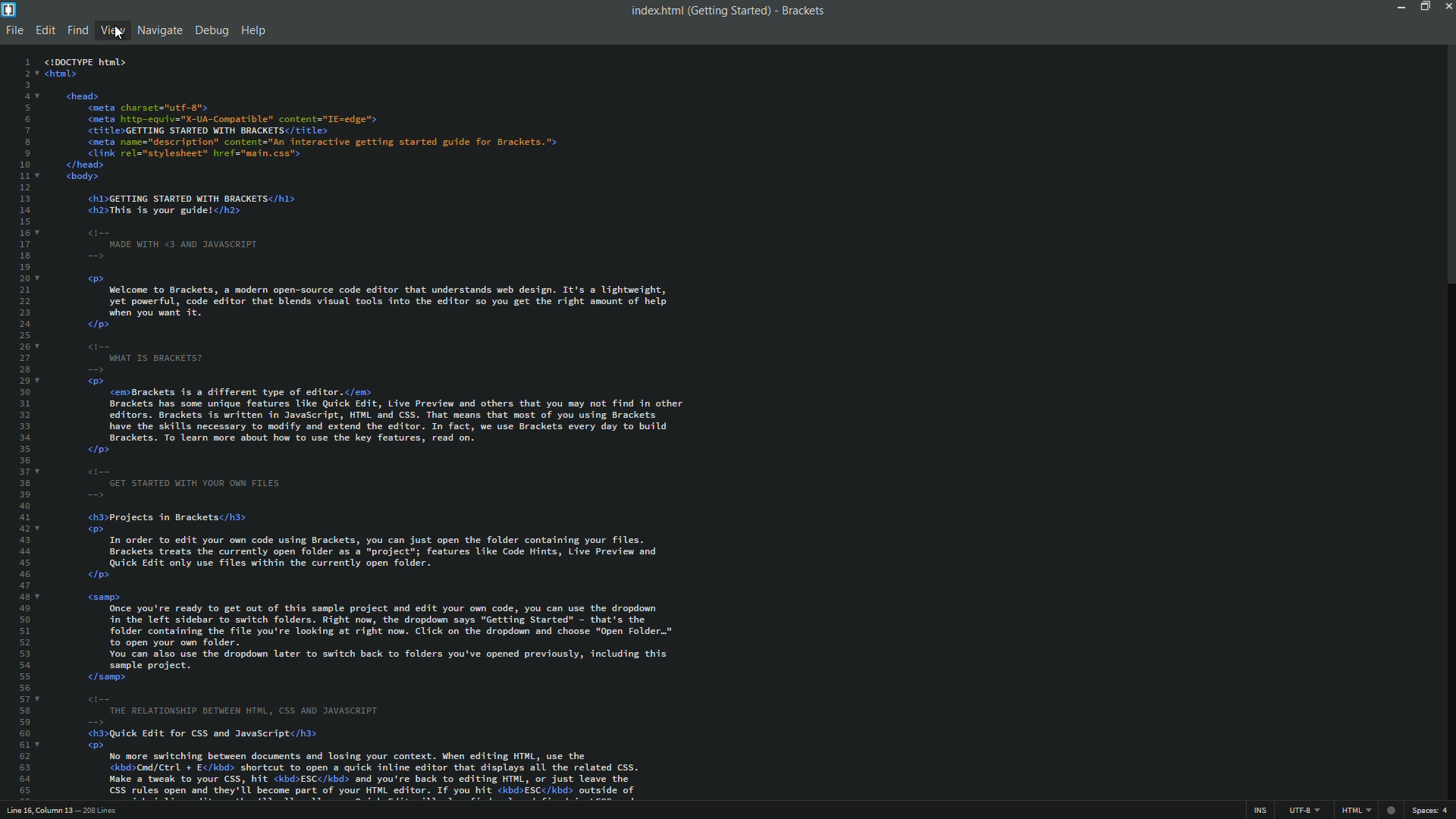 The image size is (1456, 819). I want to click on cursor, so click(119, 33).